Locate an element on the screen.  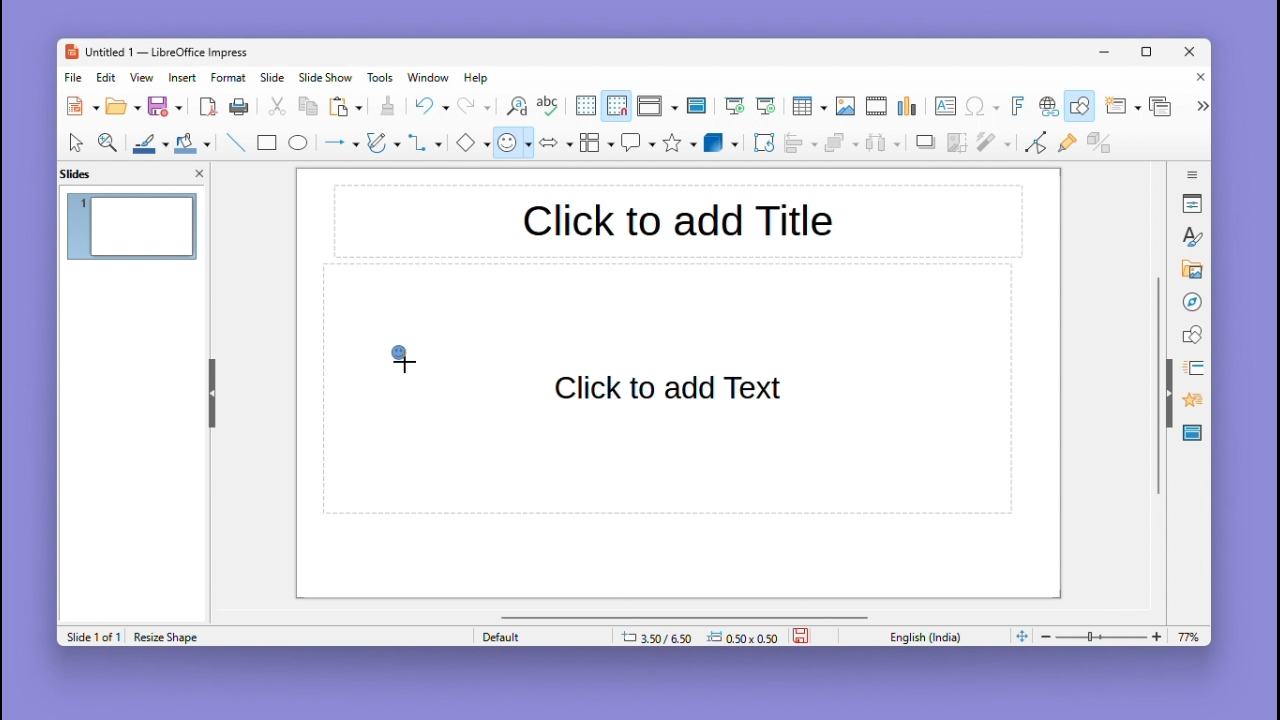
Font work is located at coordinates (1016, 106).